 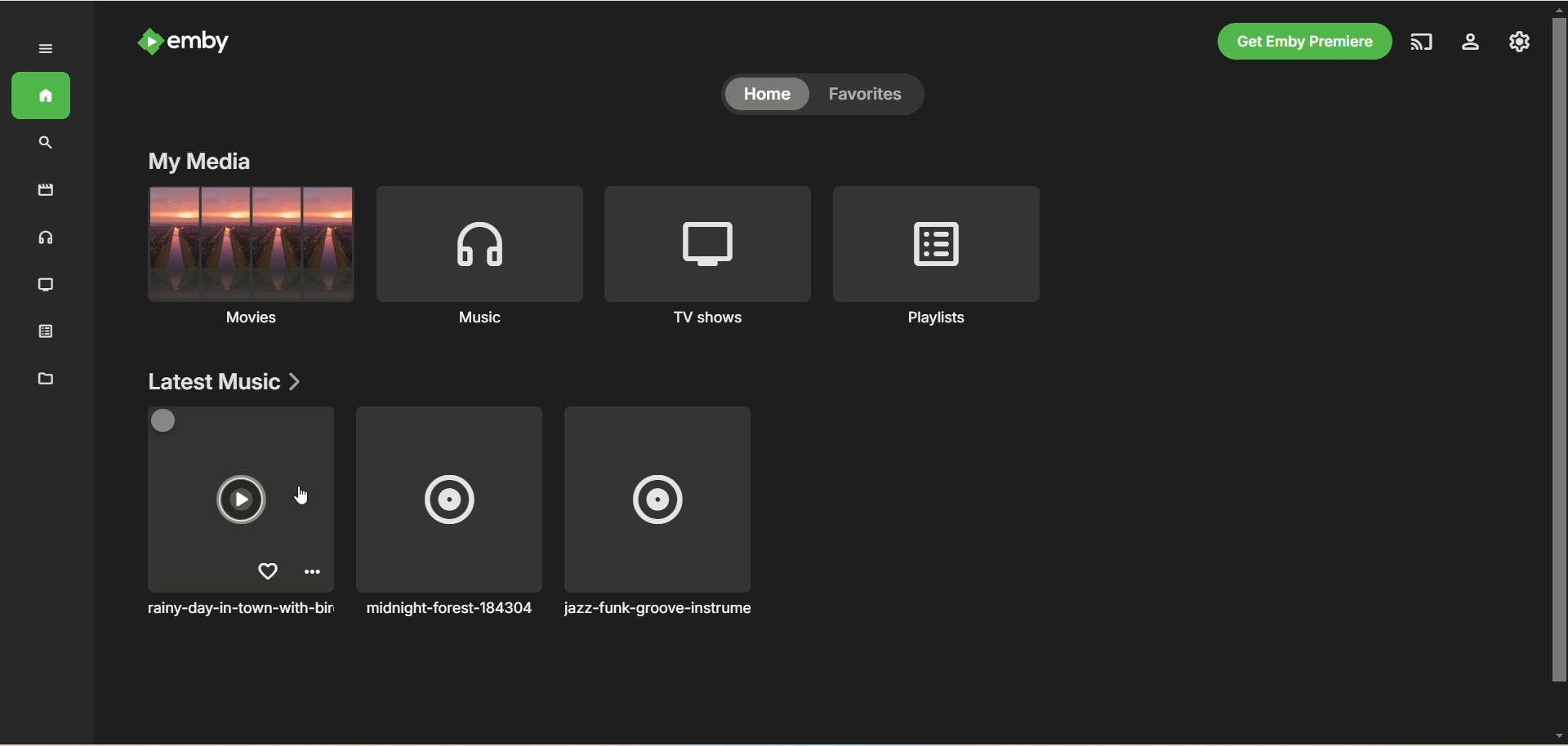 I want to click on emby, so click(x=188, y=41).